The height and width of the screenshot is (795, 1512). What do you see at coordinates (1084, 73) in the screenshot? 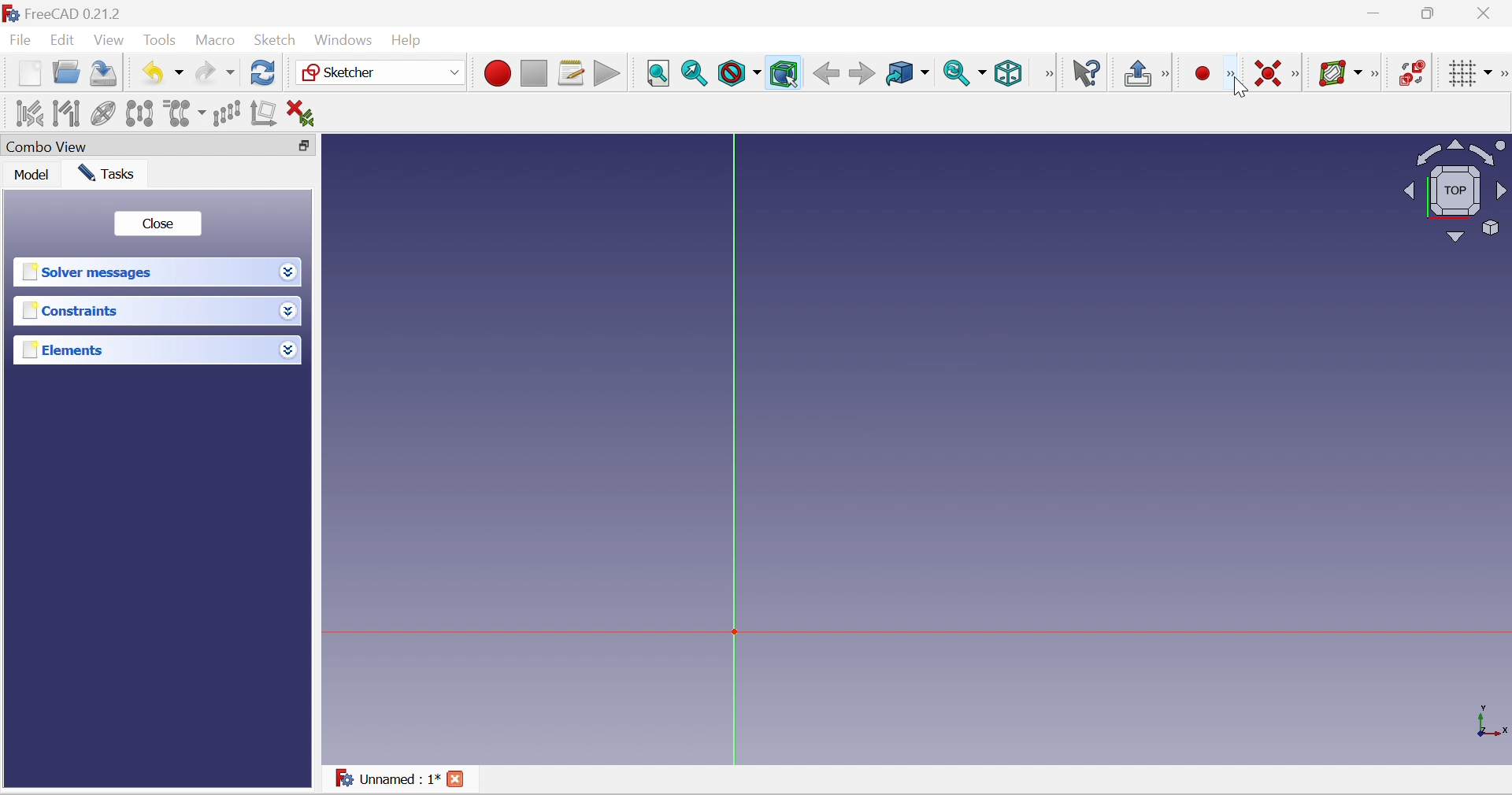
I see `What's this?` at bounding box center [1084, 73].